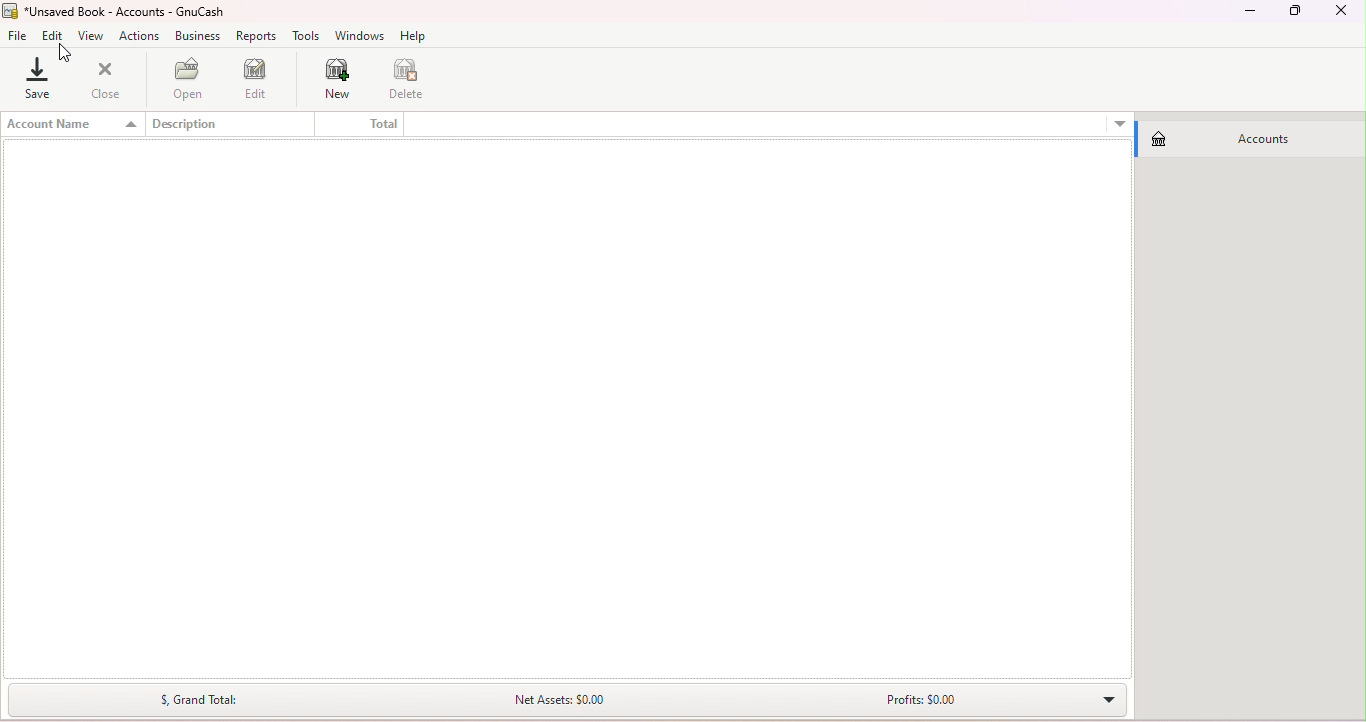  Describe the element at coordinates (259, 81) in the screenshot. I see `Edit` at that location.